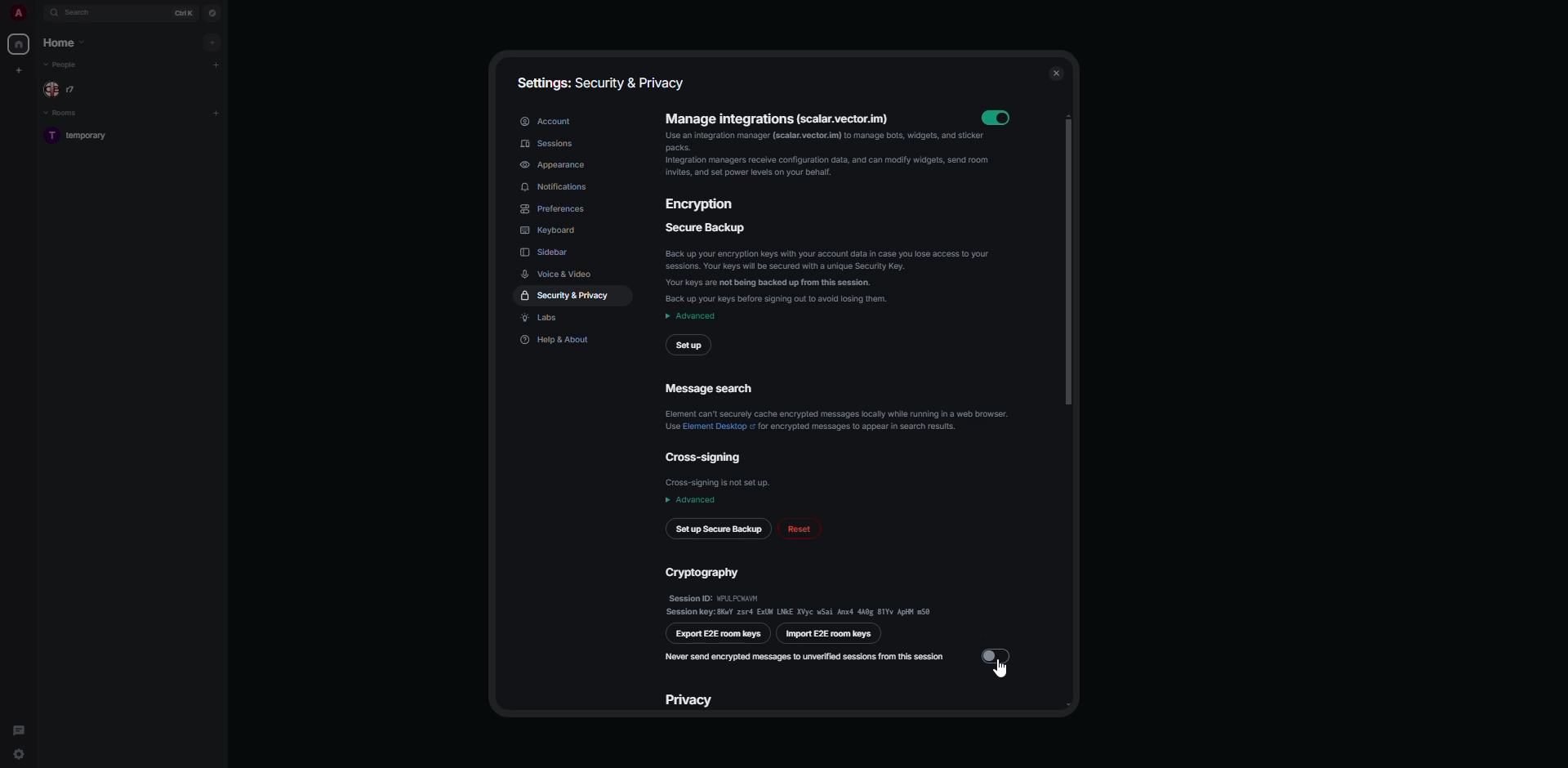  I want to click on privacy, so click(691, 699).